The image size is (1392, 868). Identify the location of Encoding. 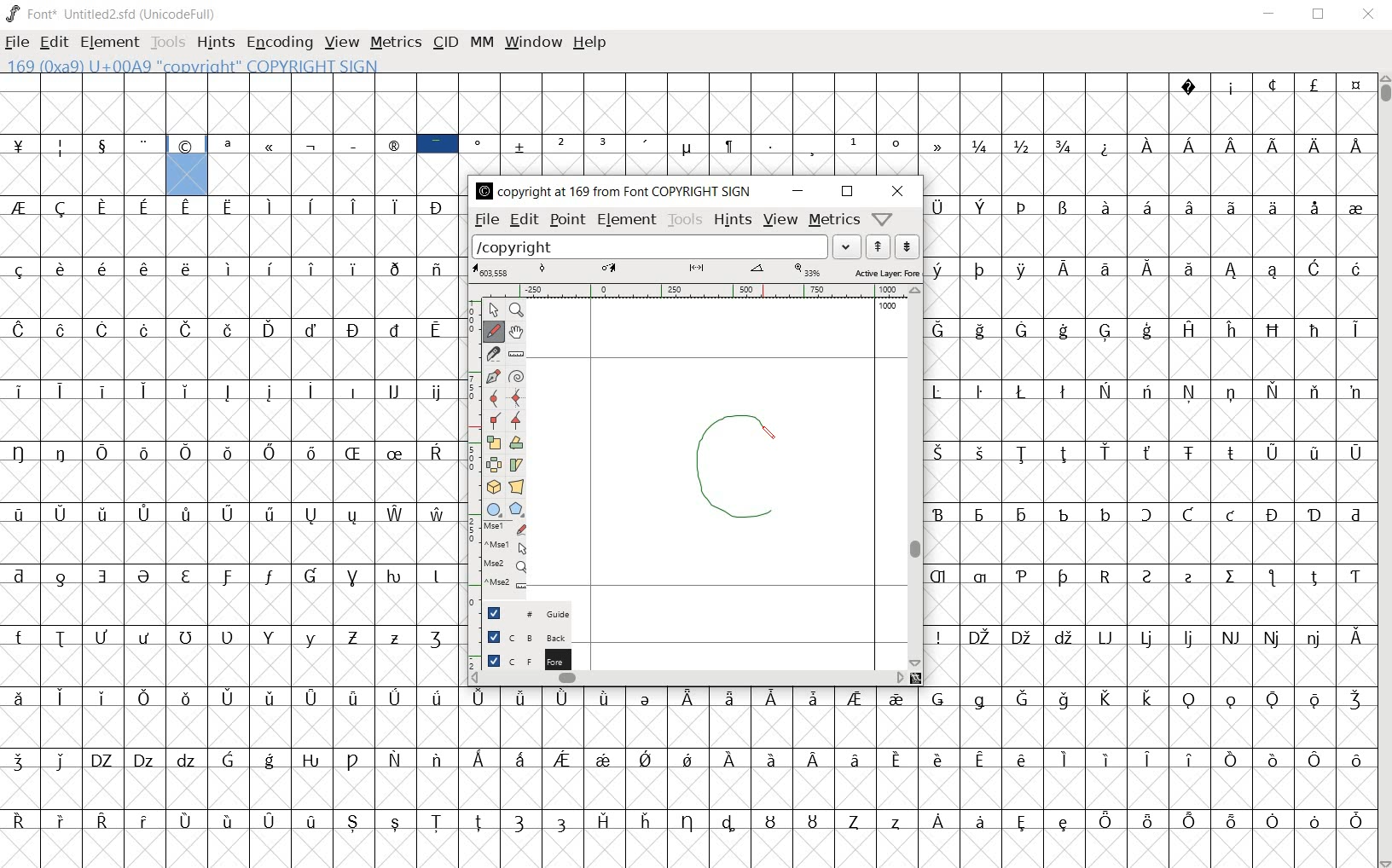
(279, 43).